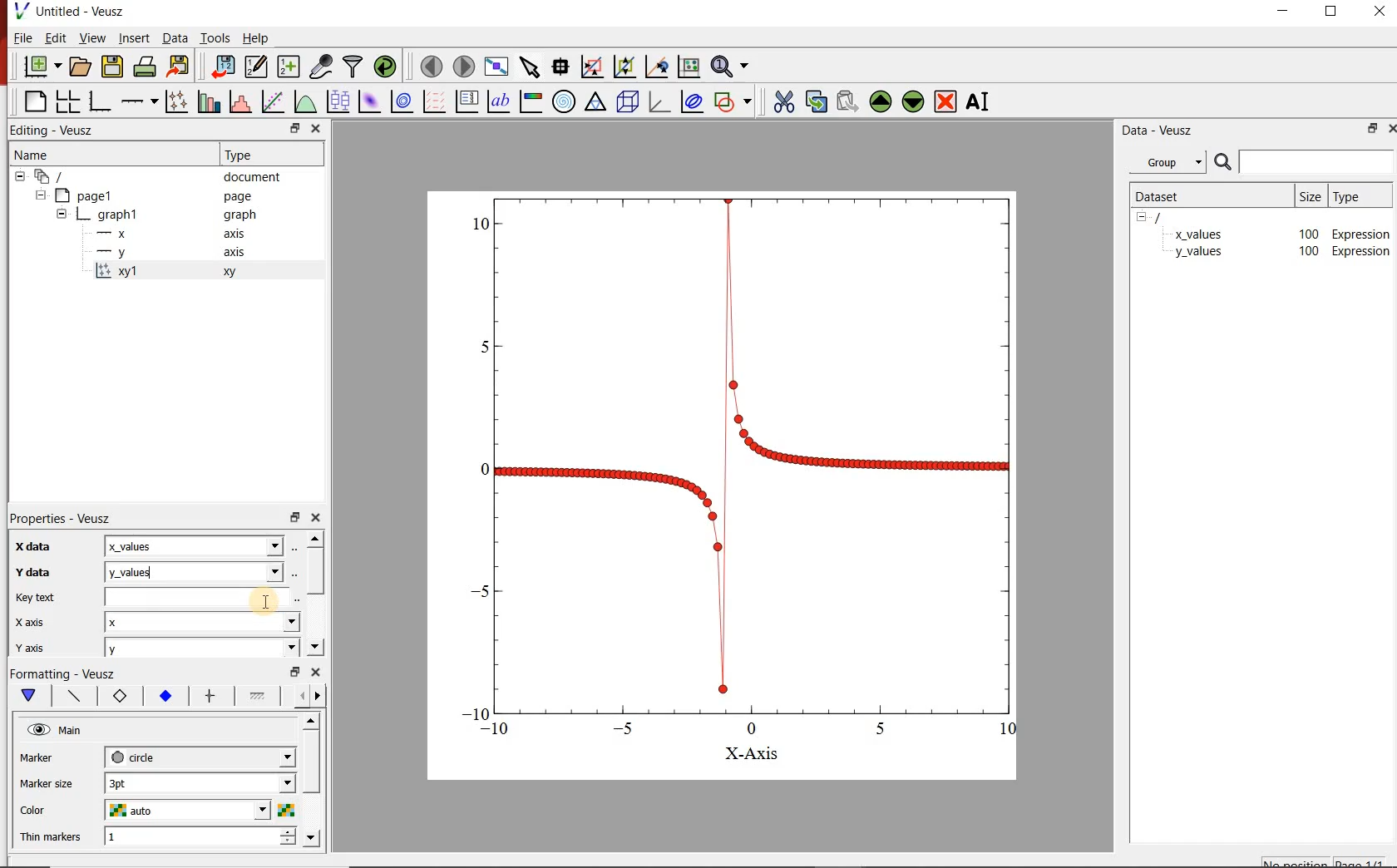  Describe the element at coordinates (629, 104) in the screenshot. I see `3d scene` at that location.